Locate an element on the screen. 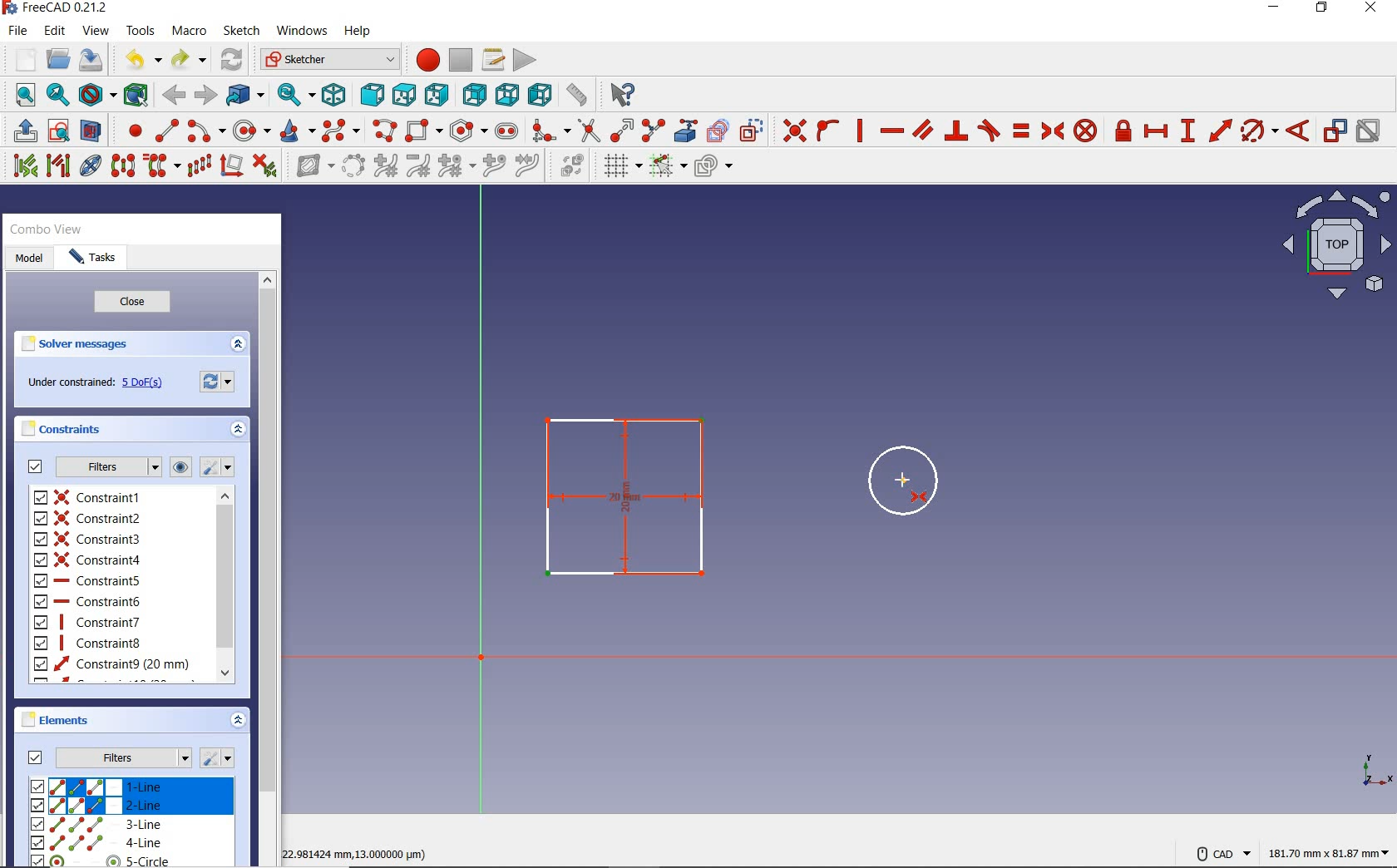  toggle driving/reference constraint  is located at coordinates (1335, 131).